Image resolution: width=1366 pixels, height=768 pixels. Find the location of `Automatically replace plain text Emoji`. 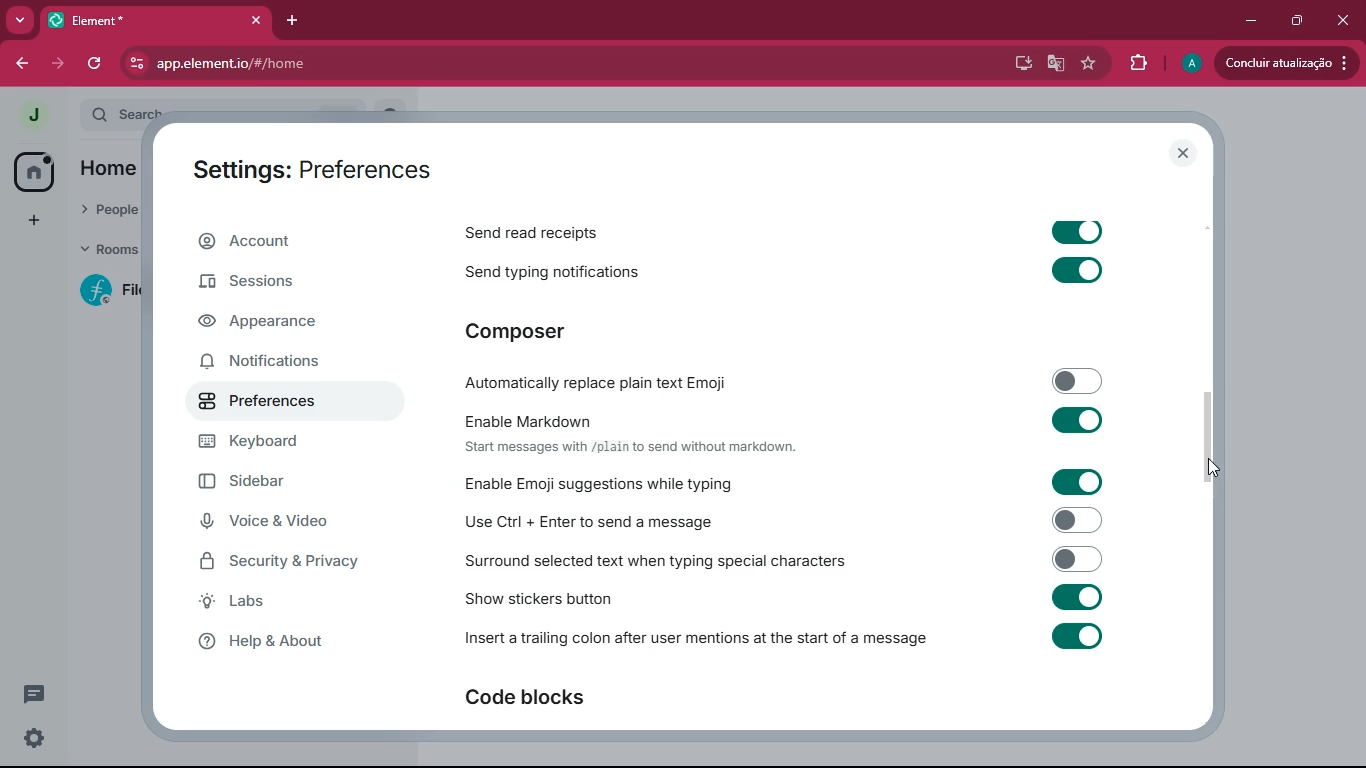

Automatically replace plain text Emoji is located at coordinates (783, 380).